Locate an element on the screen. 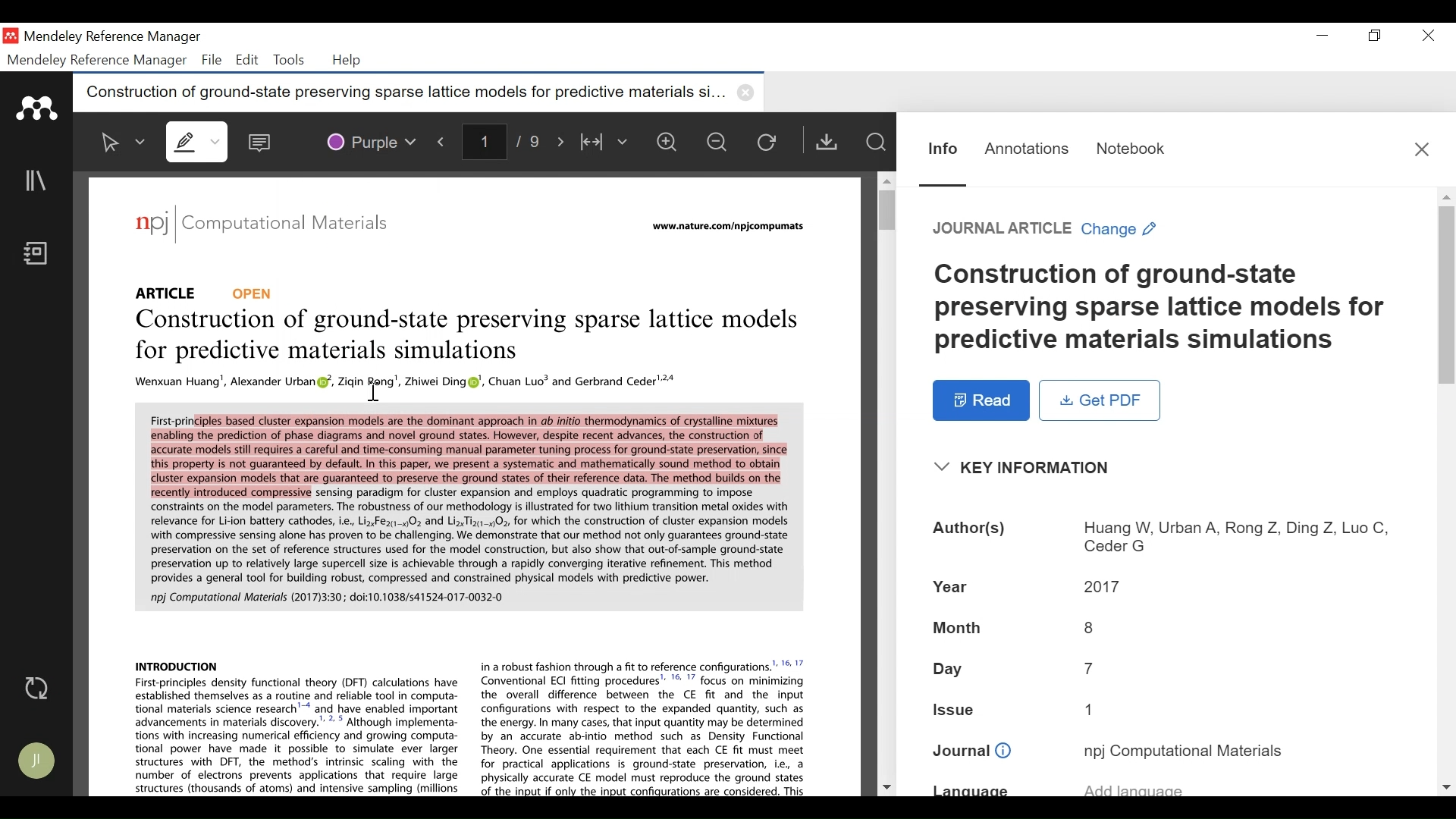 The height and width of the screenshot is (819, 1456). Huang W, Urban A, Rong Z, Ding Z, Luo C,
Ceder G is located at coordinates (1224, 535).